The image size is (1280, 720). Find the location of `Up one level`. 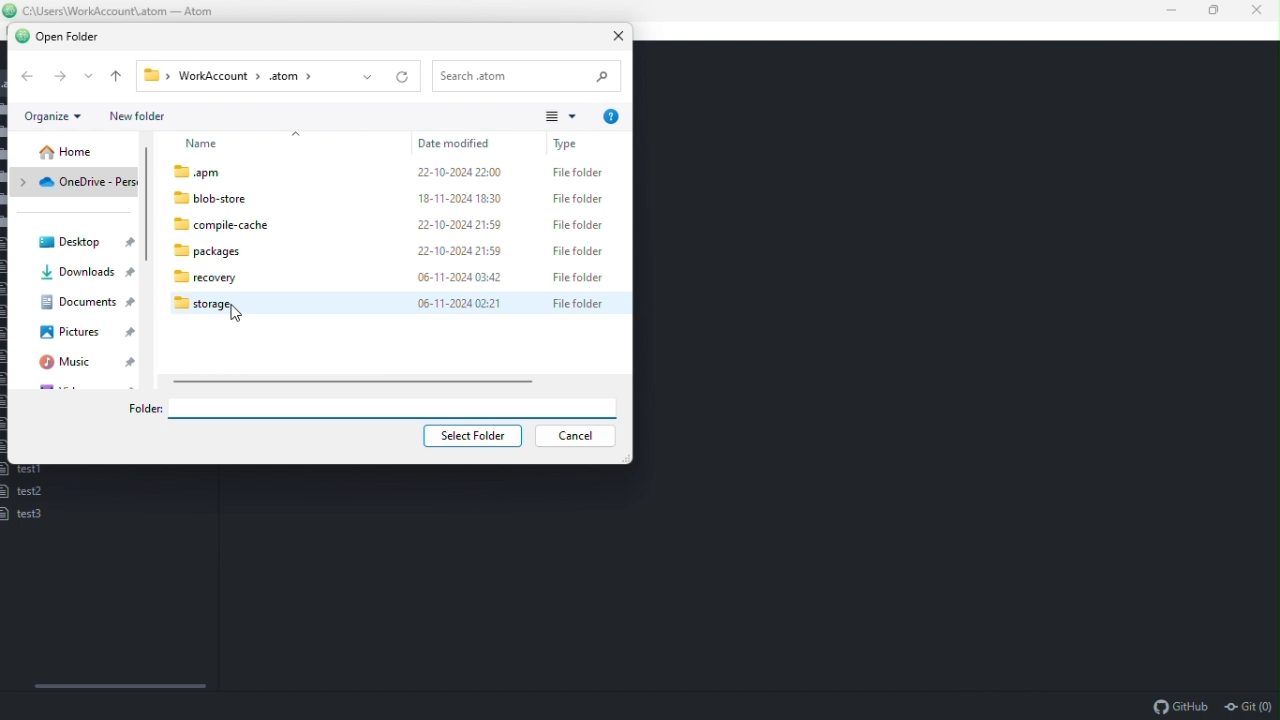

Up one level is located at coordinates (118, 75).